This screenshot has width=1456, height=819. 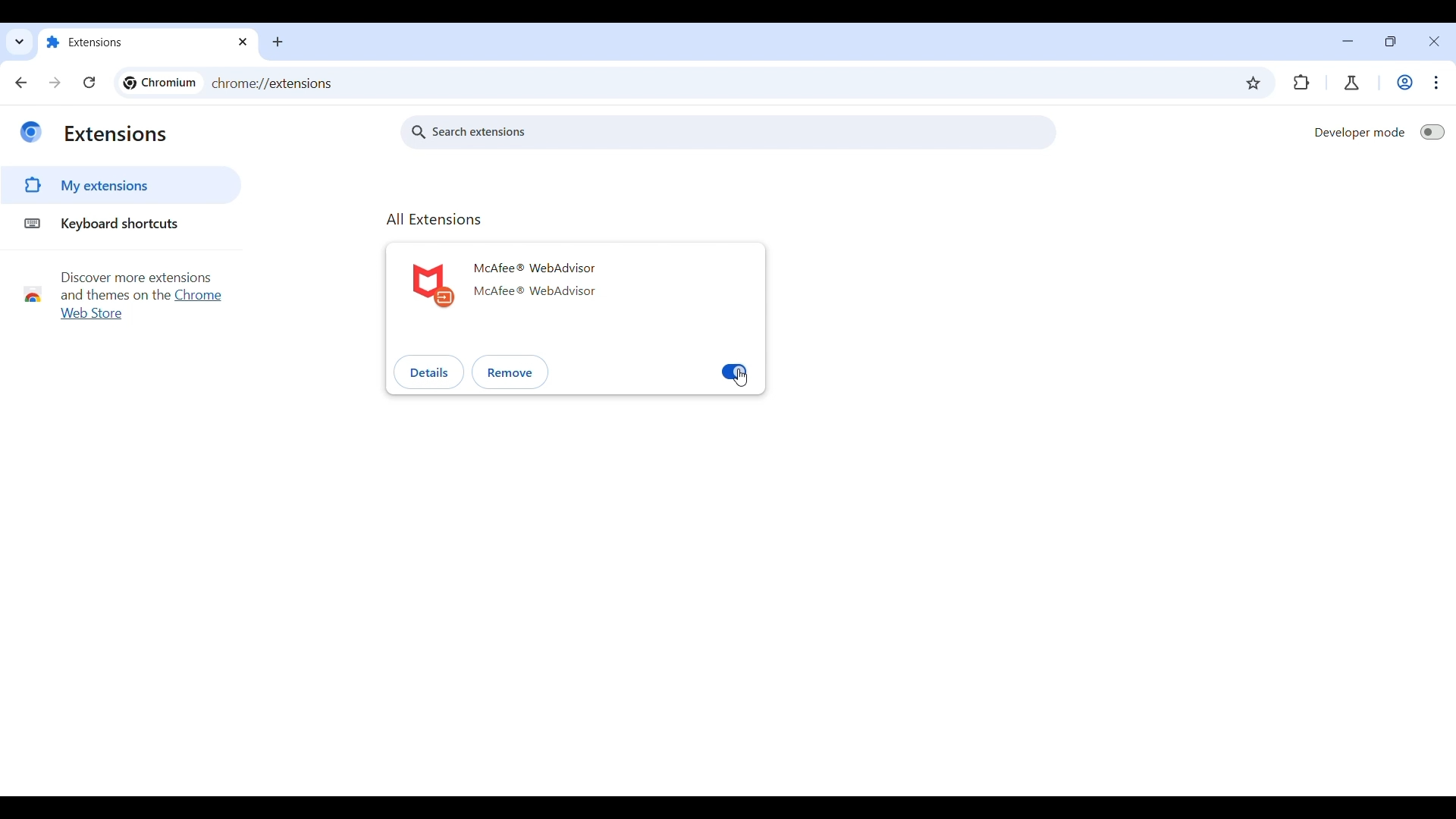 I want to click on Logo and name of current page, so click(x=159, y=83).